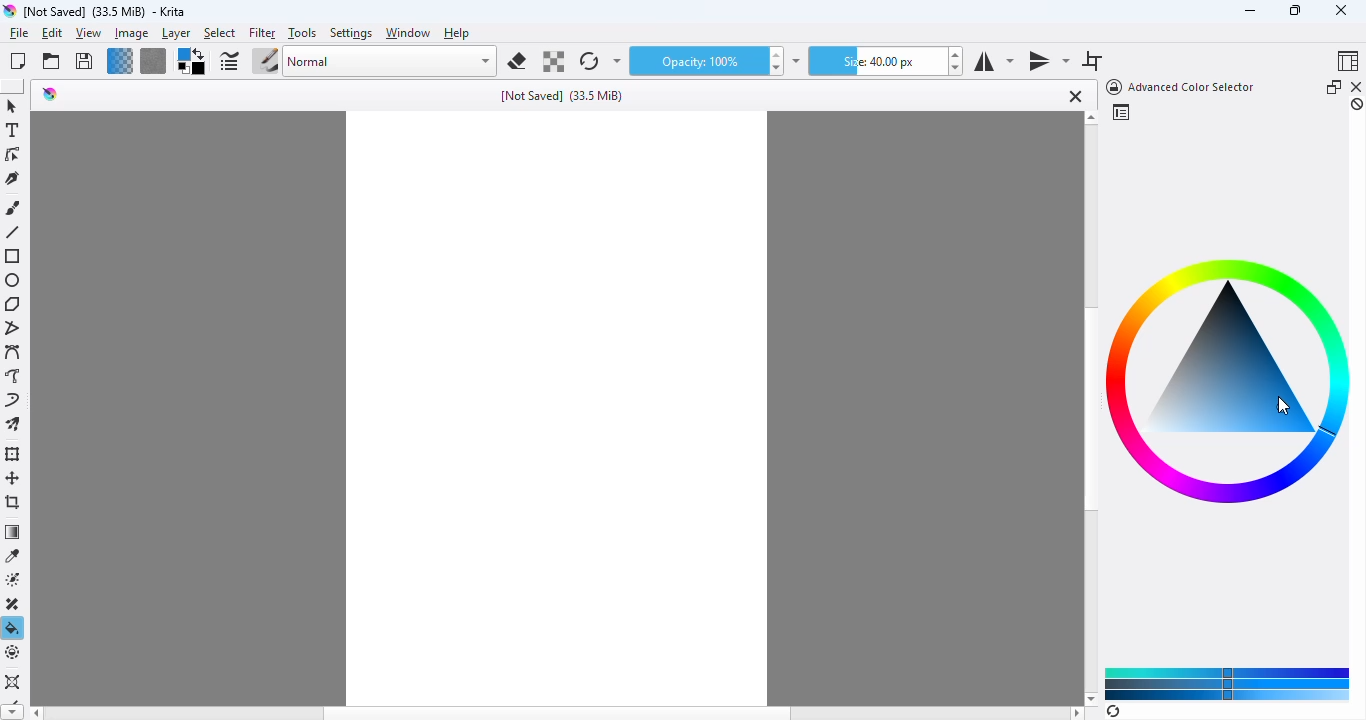 The width and height of the screenshot is (1366, 720). Describe the element at coordinates (132, 34) in the screenshot. I see `image` at that location.